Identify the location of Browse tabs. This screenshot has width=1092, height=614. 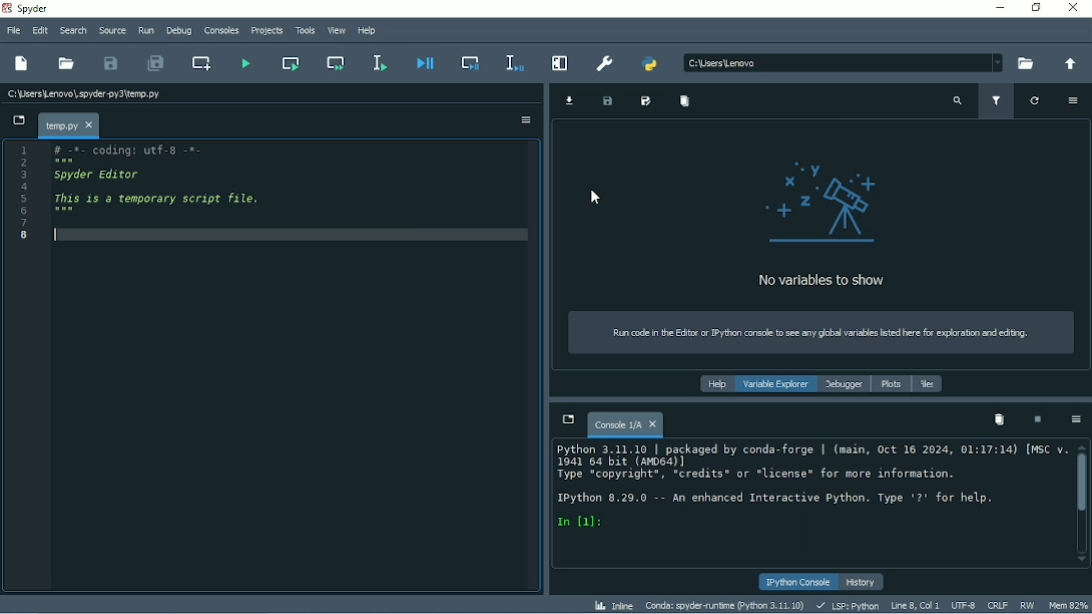
(18, 121).